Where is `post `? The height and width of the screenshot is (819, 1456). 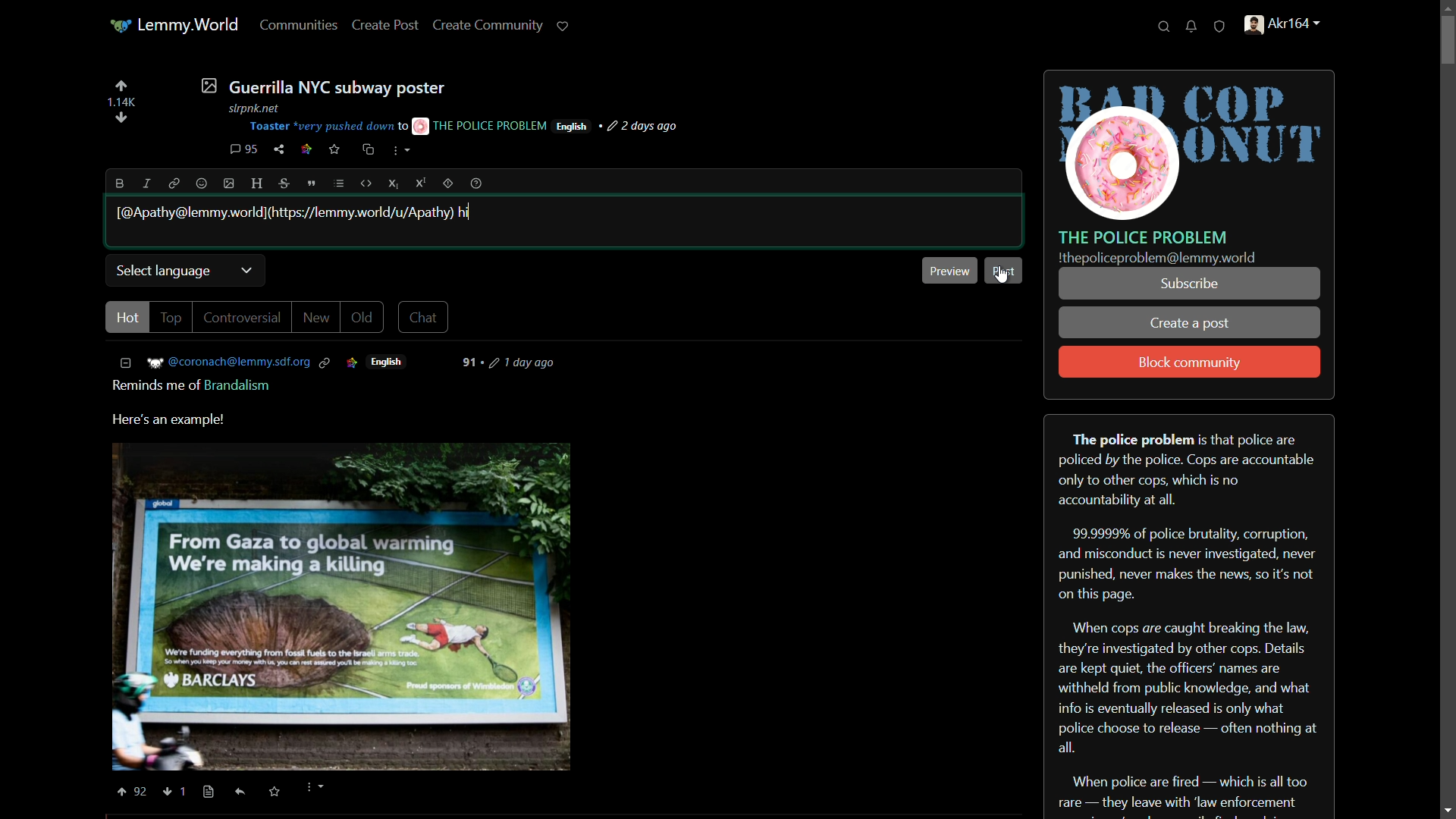
post  is located at coordinates (1006, 268).